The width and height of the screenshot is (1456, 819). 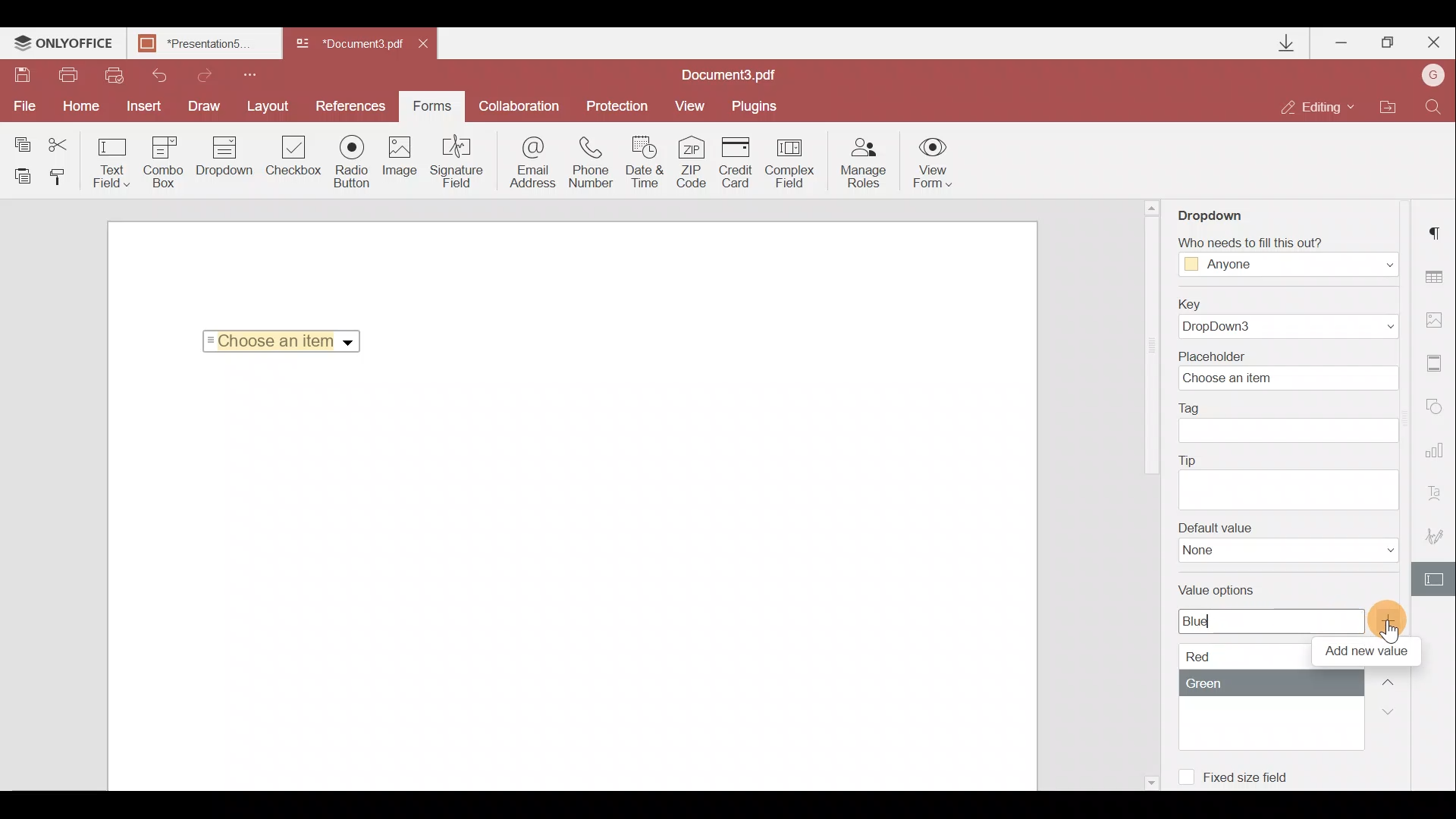 I want to click on Redo, so click(x=206, y=74).